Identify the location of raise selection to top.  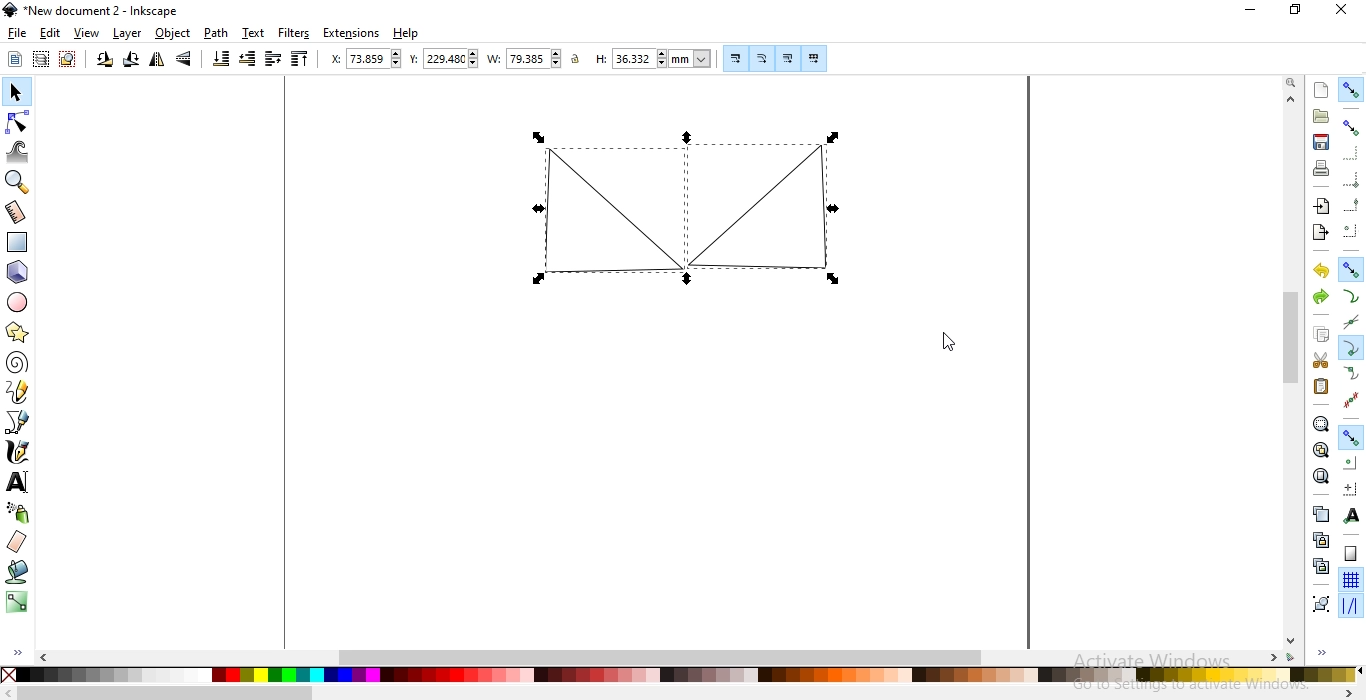
(301, 60).